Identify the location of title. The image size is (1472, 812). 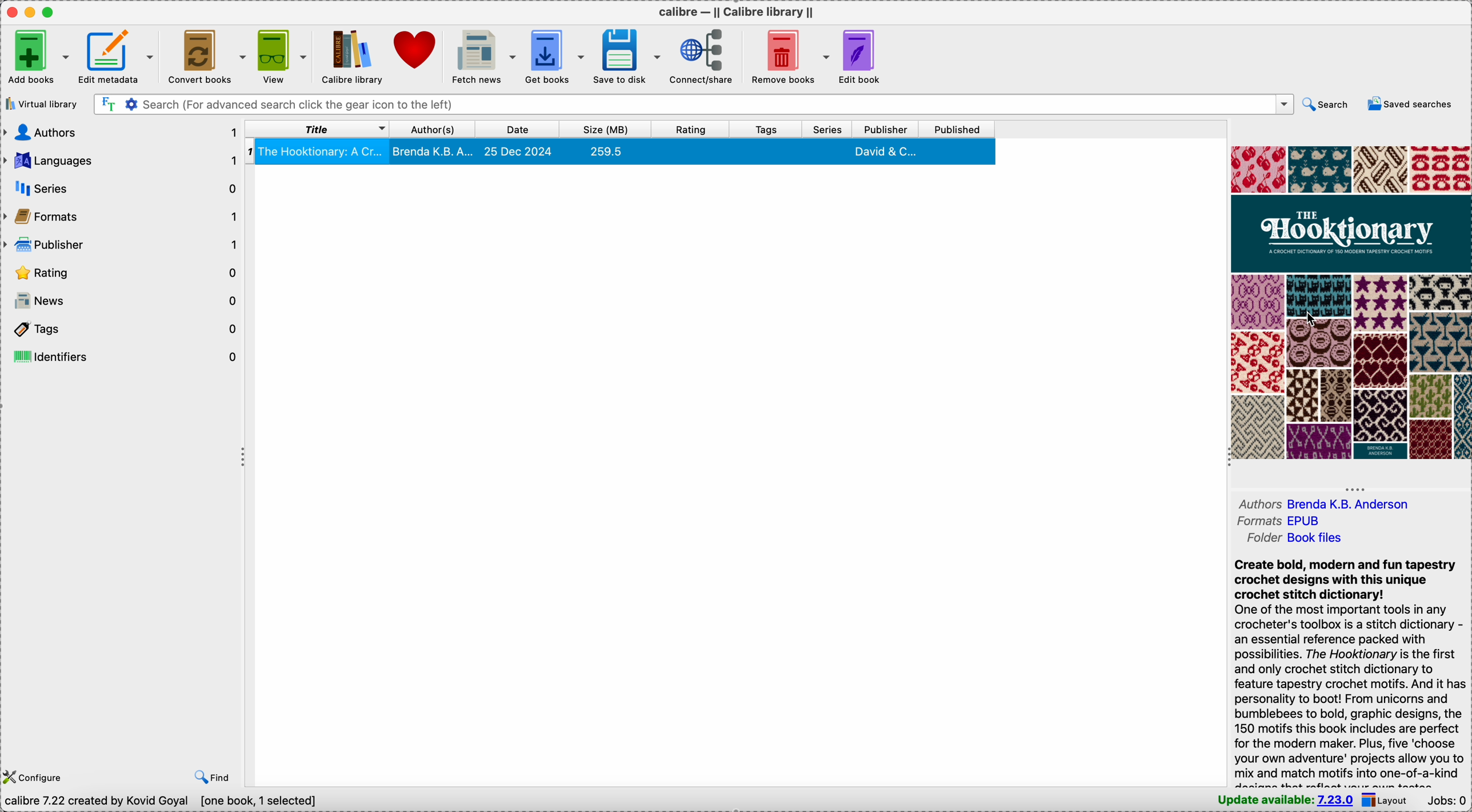
(318, 129).